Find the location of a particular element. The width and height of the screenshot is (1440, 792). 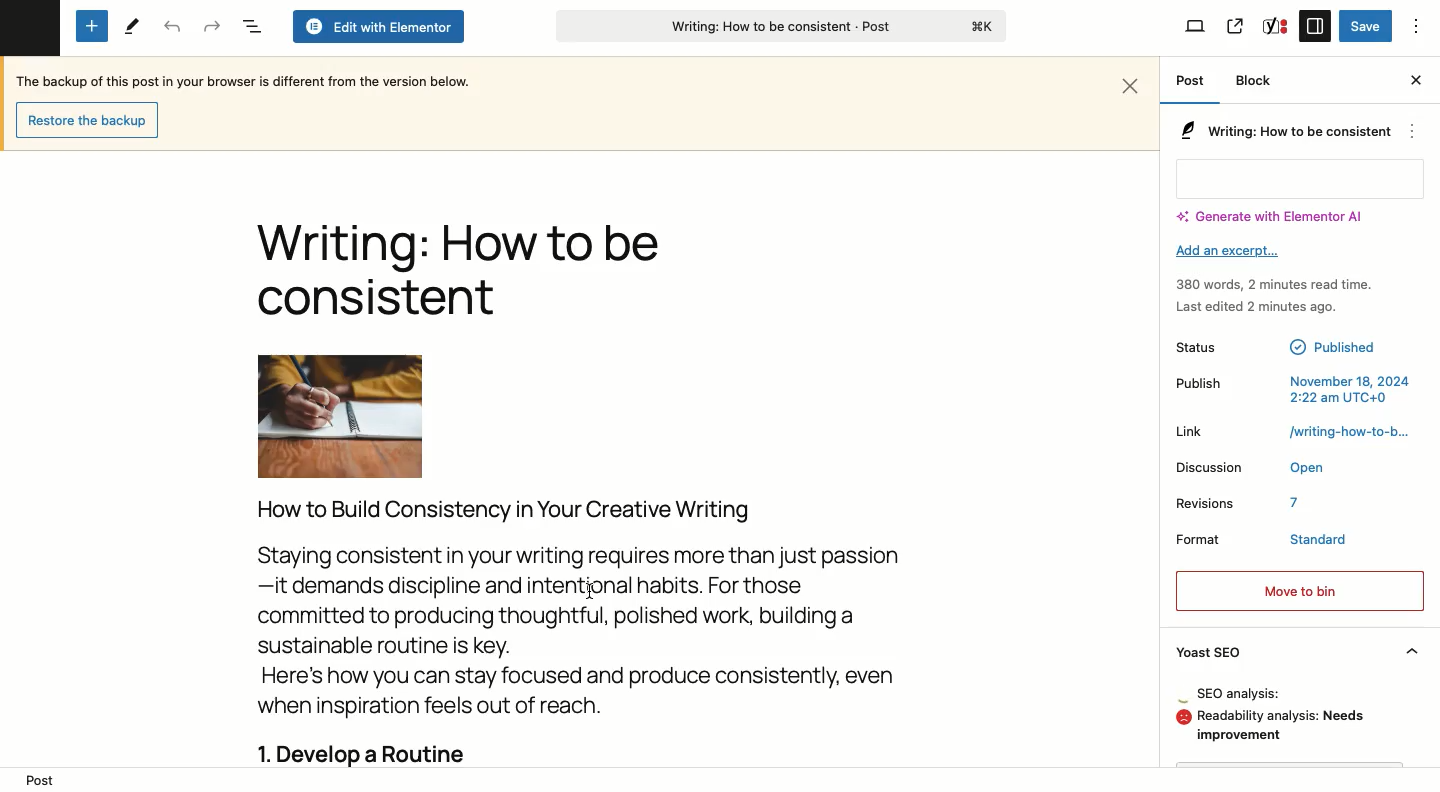

Format Standard is located at coordinates (1267, 540).